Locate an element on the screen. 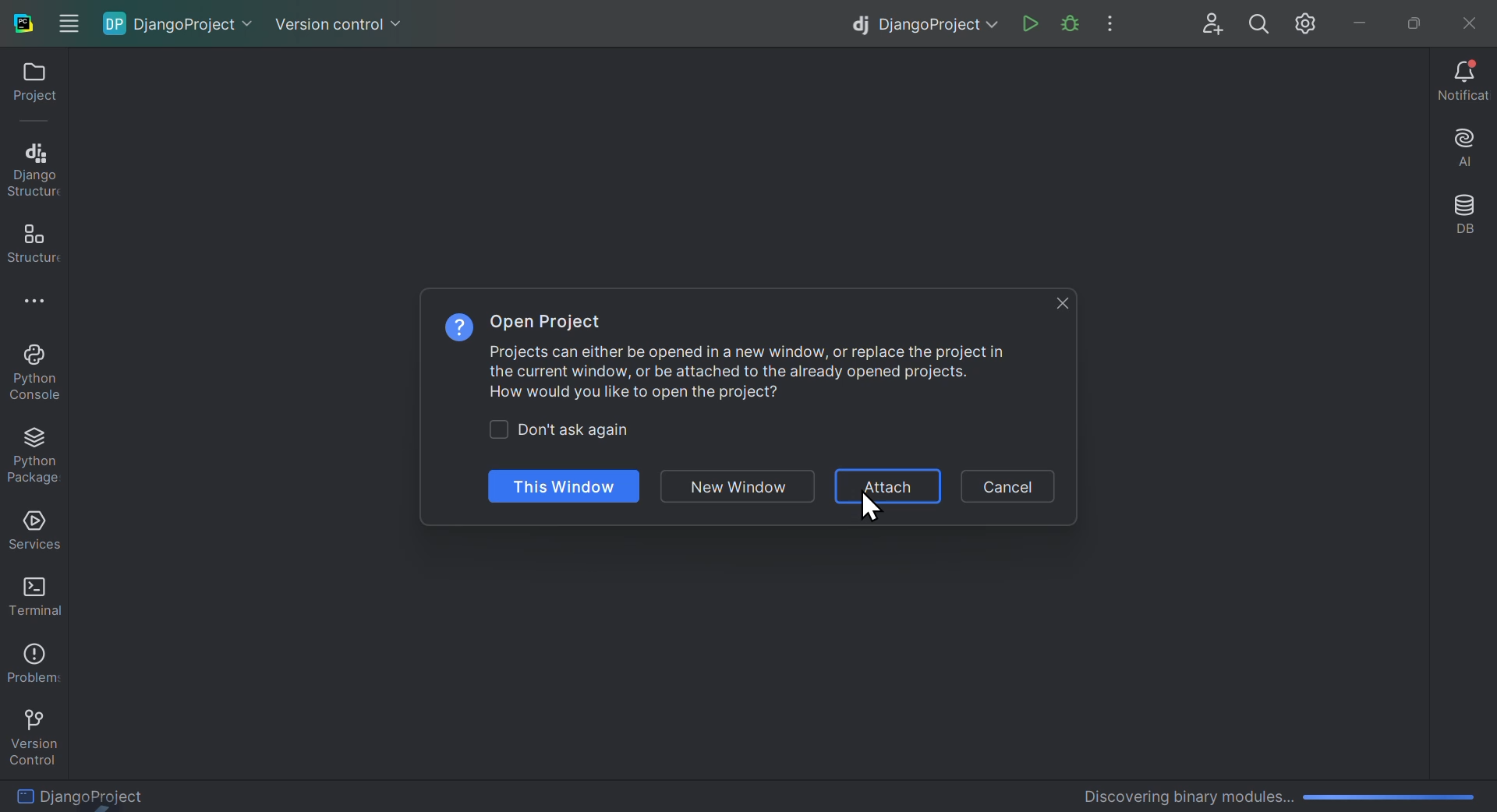  Text is located at coordinates (748, 376).